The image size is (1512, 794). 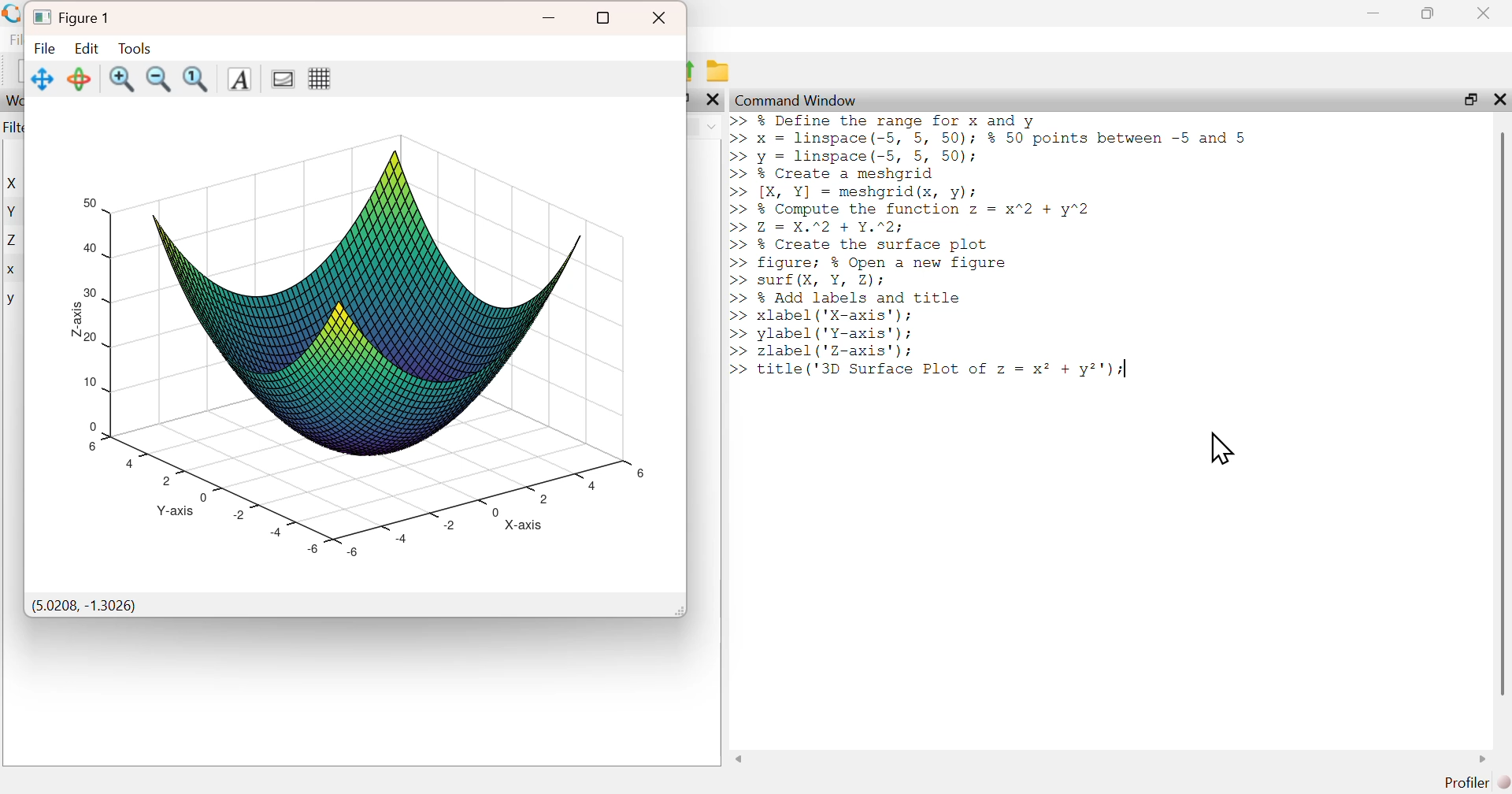 What do you see at coordinates (43, 79) in the screenshot?
I see `Move` at bounding box center [43, 79].